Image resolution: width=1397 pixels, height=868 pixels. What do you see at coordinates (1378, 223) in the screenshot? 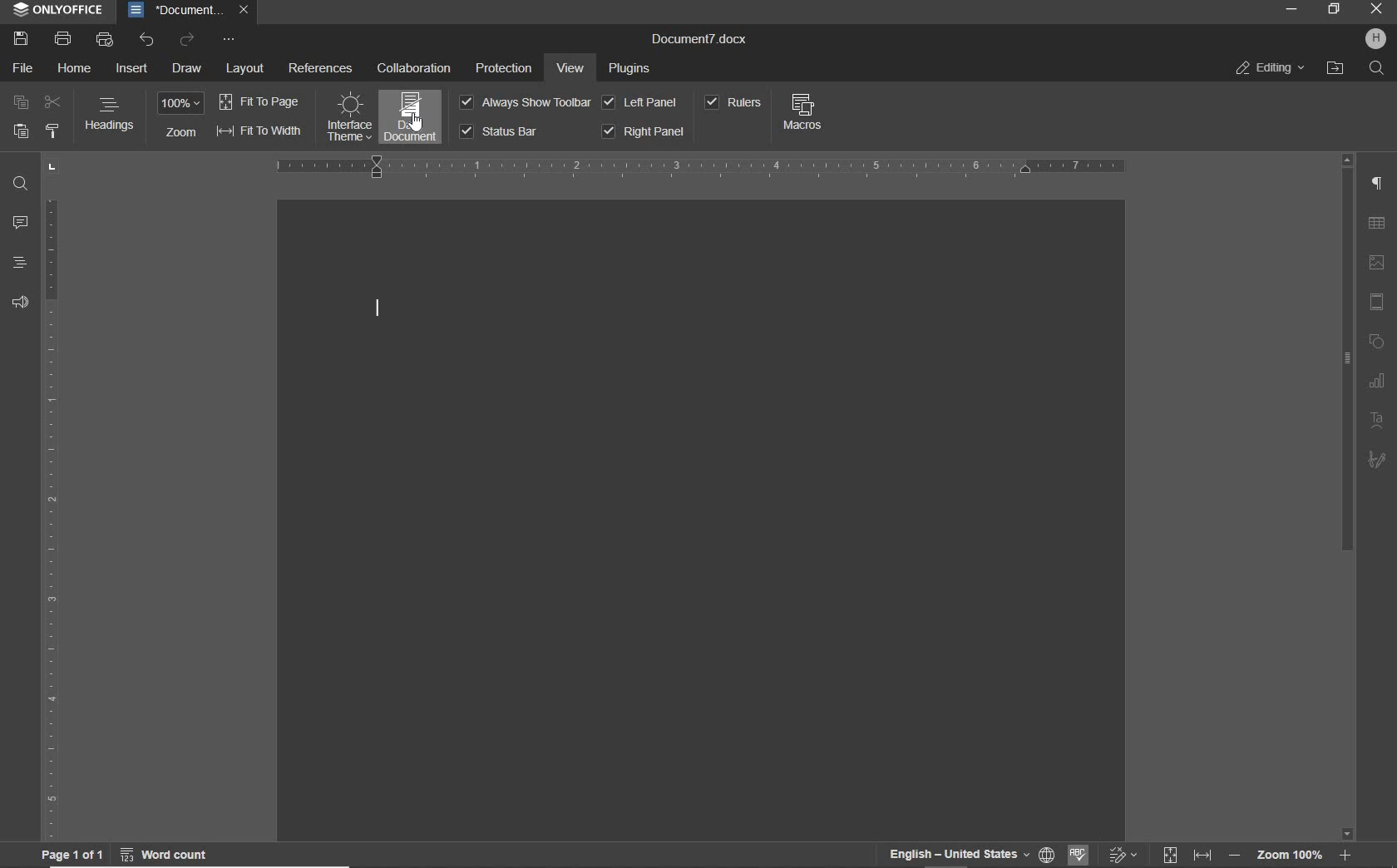
I see `TABLE` at bounding box center [1378, 223].